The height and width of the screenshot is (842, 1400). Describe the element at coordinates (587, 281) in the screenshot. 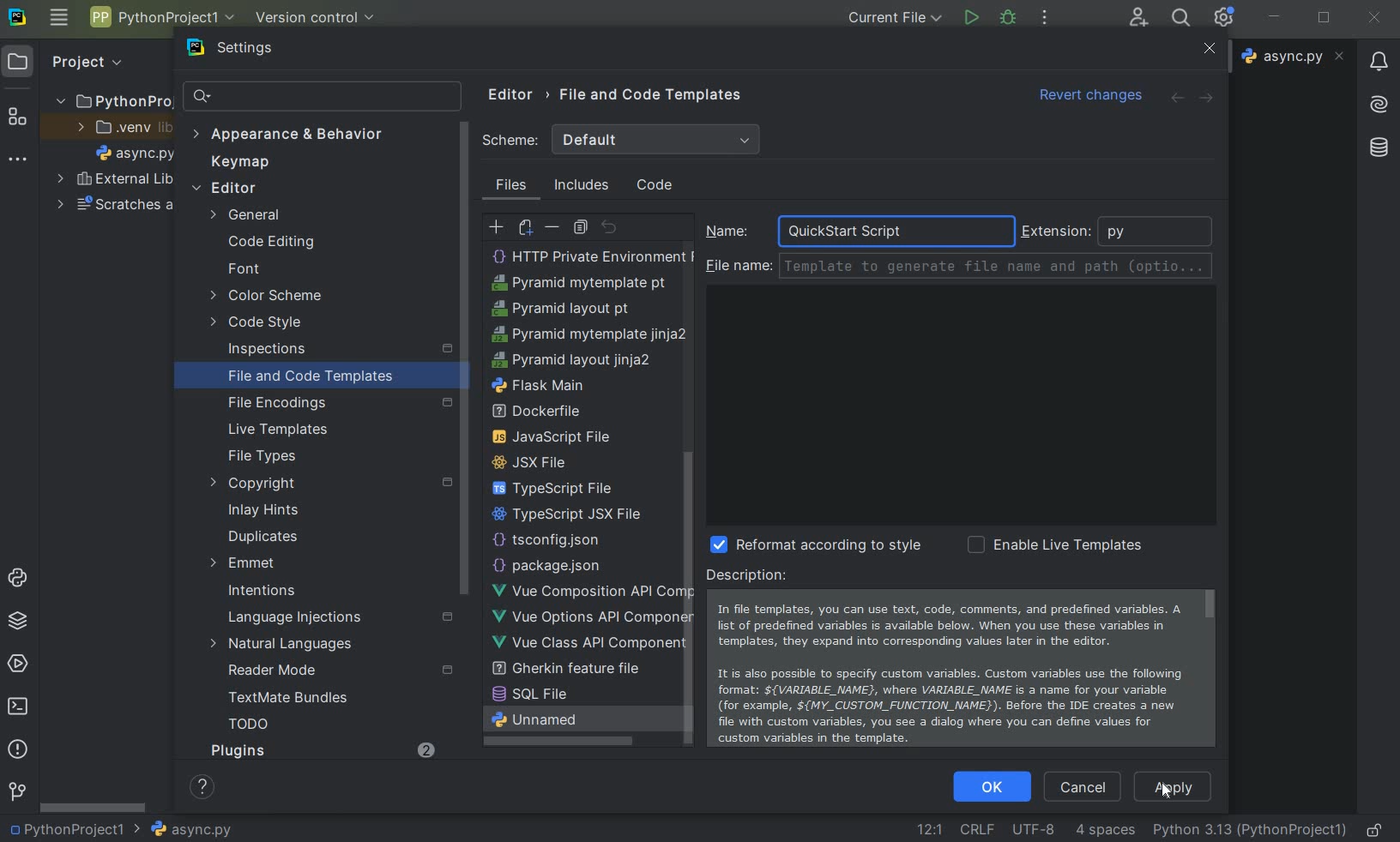

I see `create Template` at that location.